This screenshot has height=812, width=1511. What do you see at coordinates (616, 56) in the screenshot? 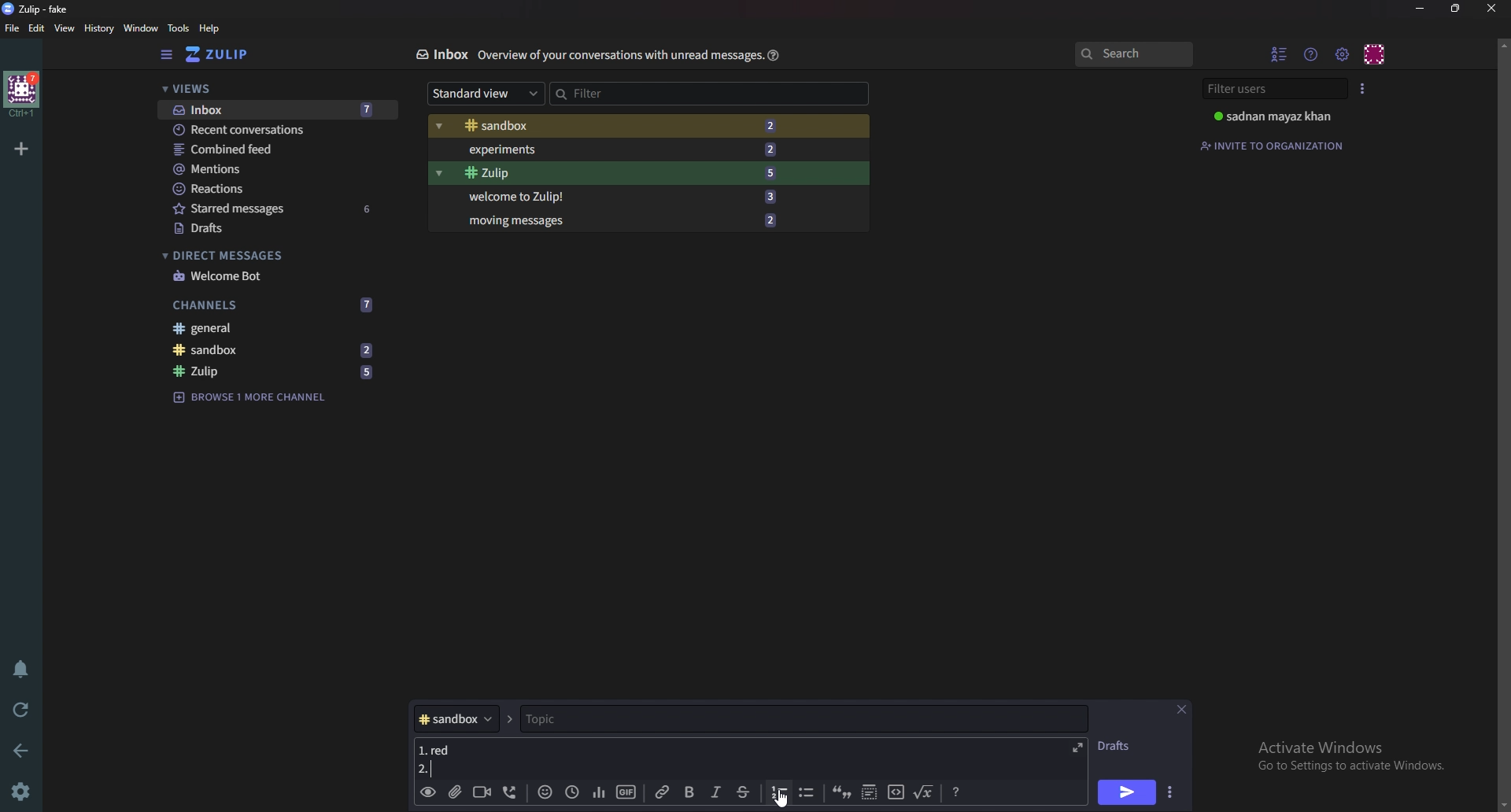
I see `Info` at bounding box center [616, 56].